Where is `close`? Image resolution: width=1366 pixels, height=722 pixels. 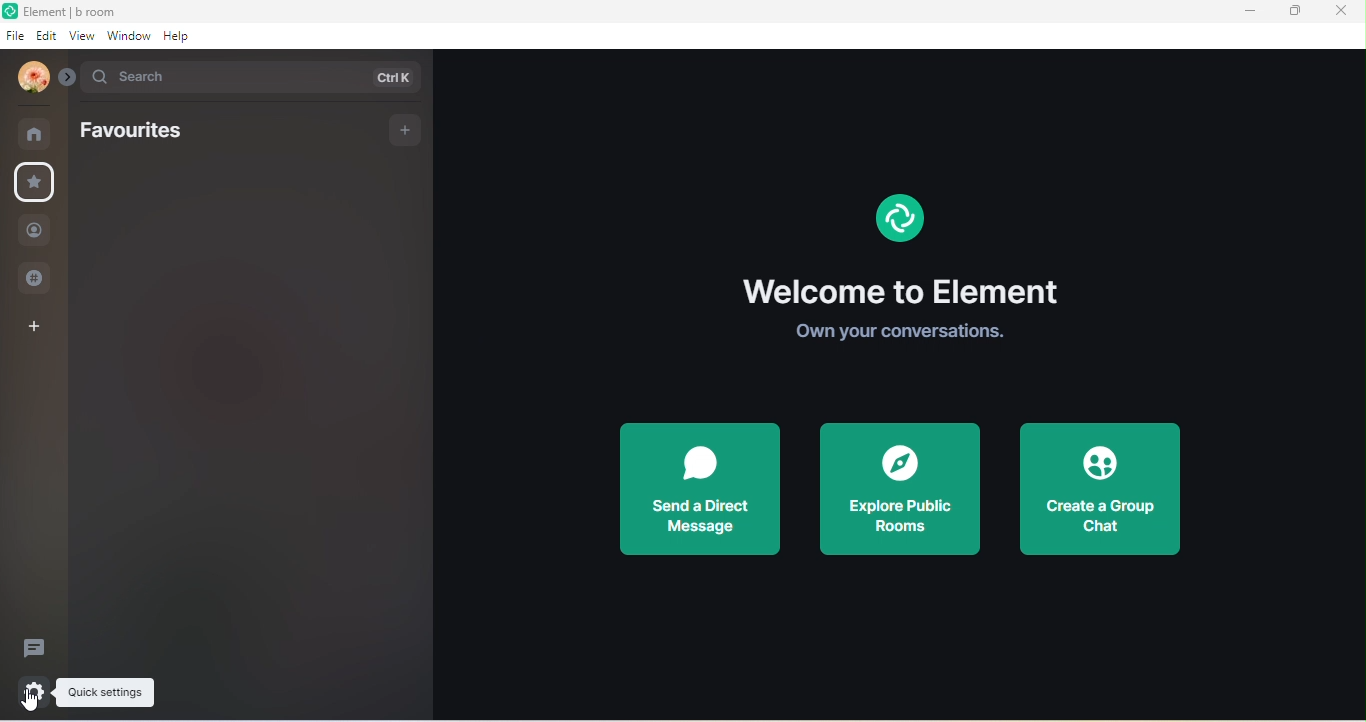 close is located at coordinates (1341, 13).